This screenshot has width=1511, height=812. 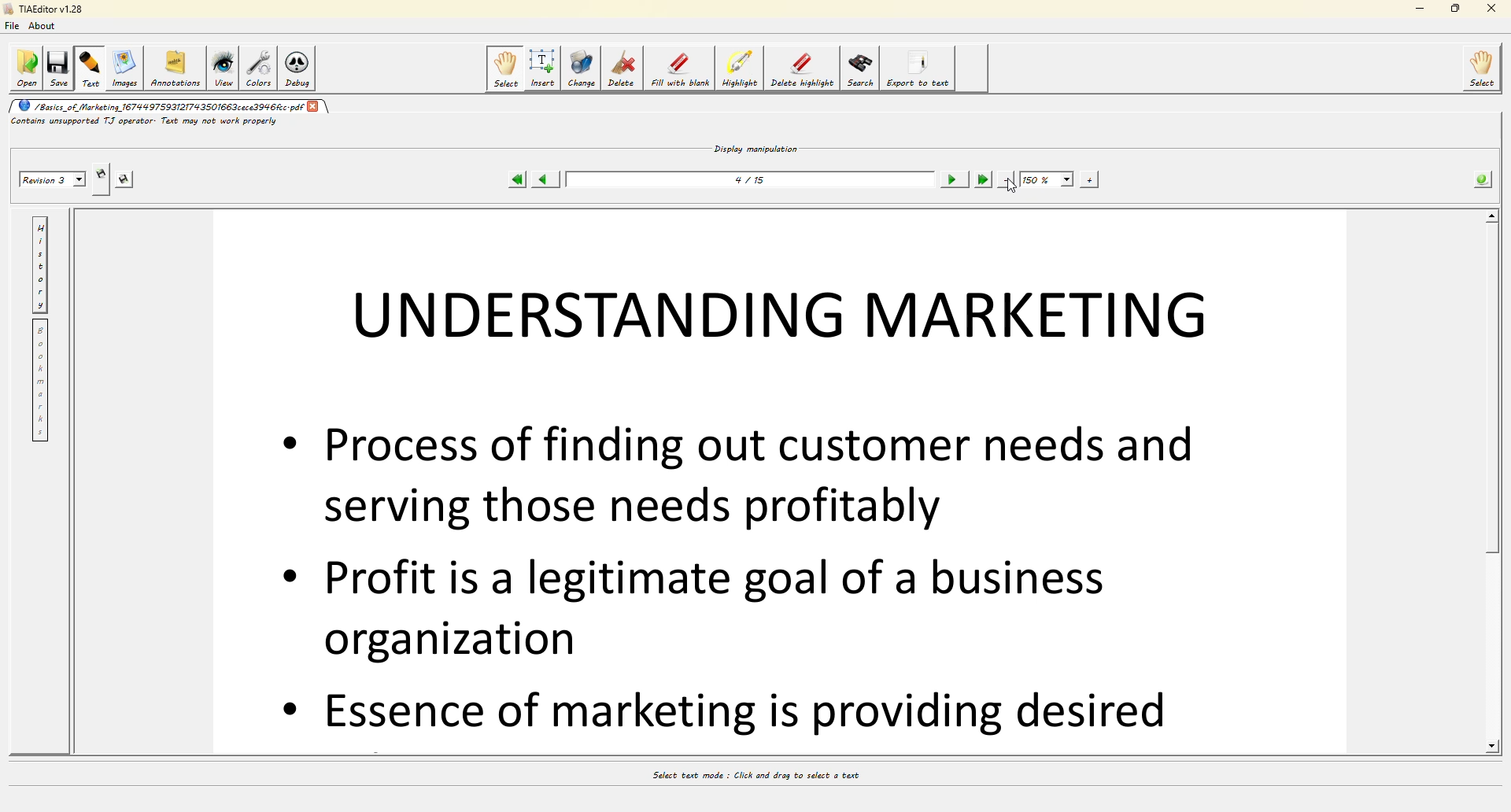 What do you see at coordinates (1493, 749) in the screenshot?
I see `scroll down` at bounding box center [1493, 749].